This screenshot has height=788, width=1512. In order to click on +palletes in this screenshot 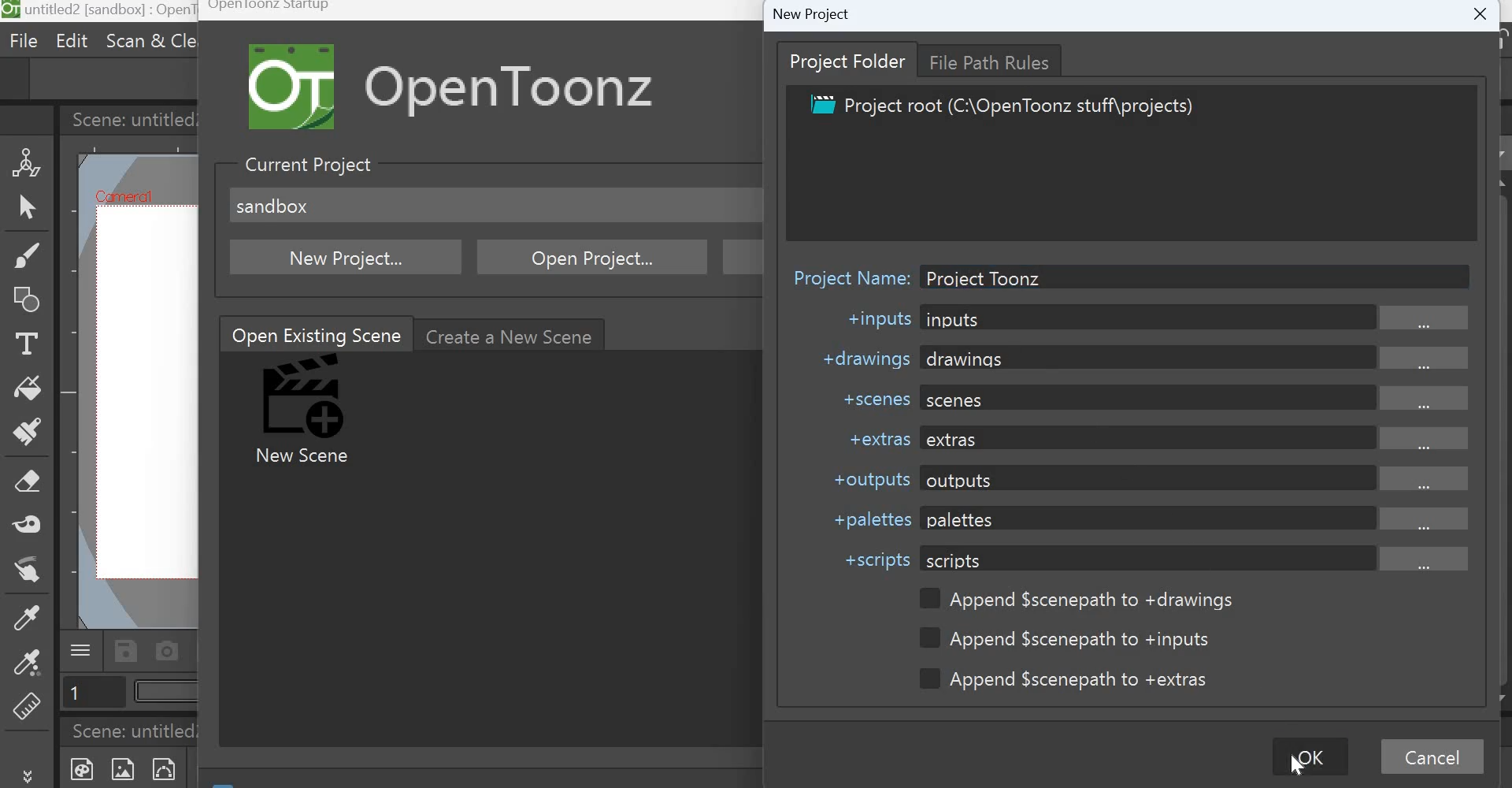, I will do `click(869, 520)`.